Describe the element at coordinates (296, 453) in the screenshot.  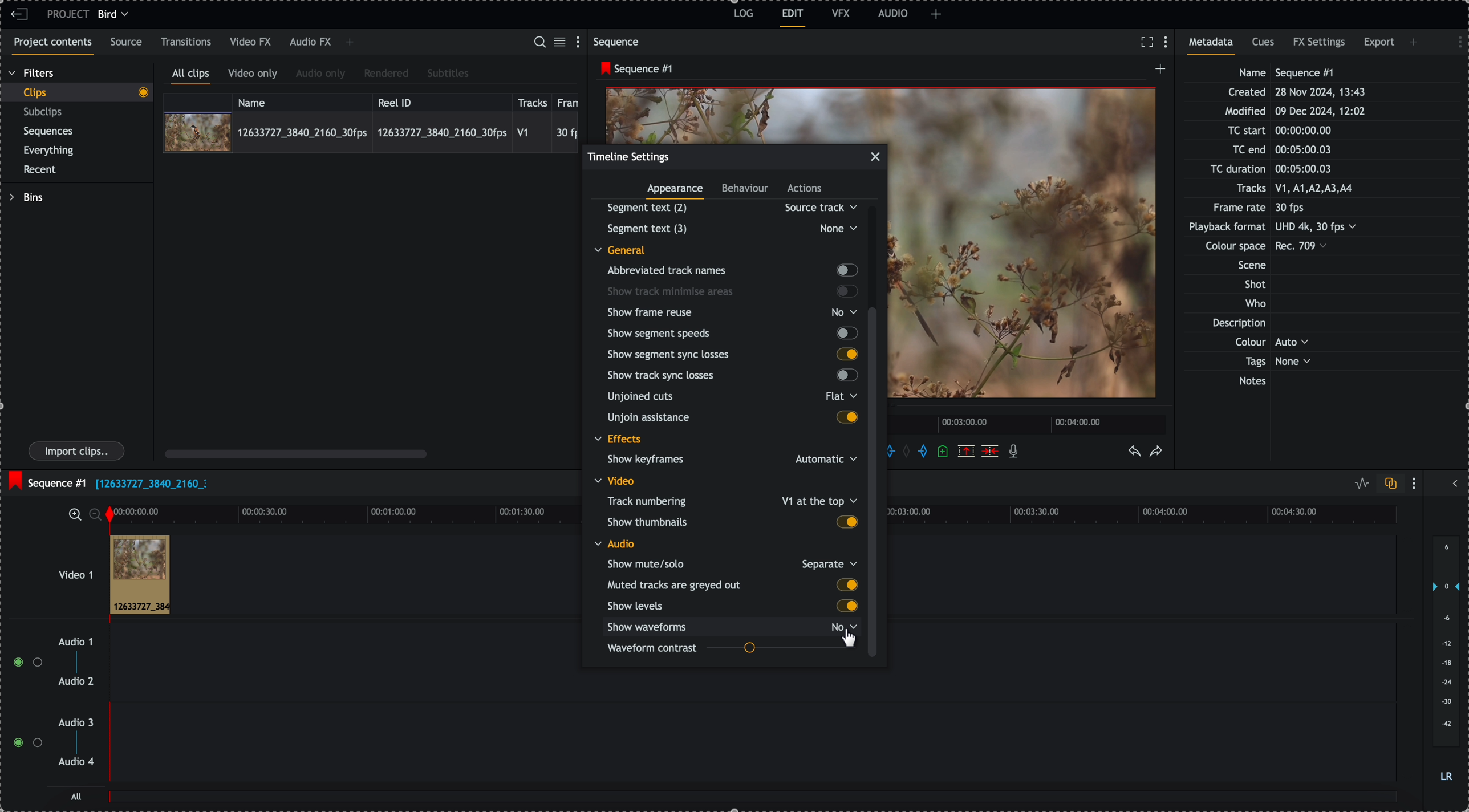
I see `scroll bar` at that location.